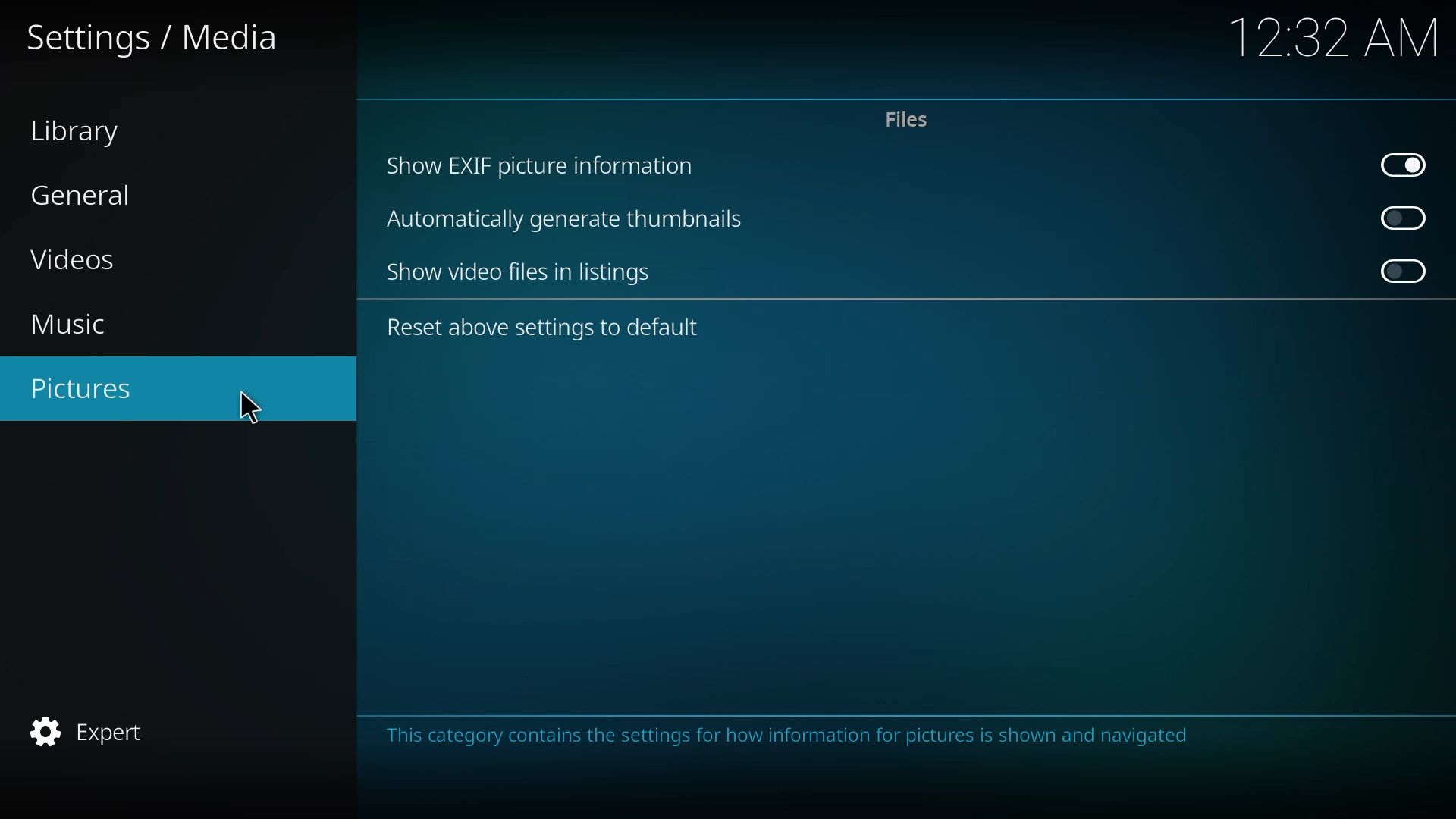 The height and width of the screenshot is (819, 1456). What do you see at coordinates (101, 729) in the screenshot?
I see `expert` at bounding box center [101, 729].